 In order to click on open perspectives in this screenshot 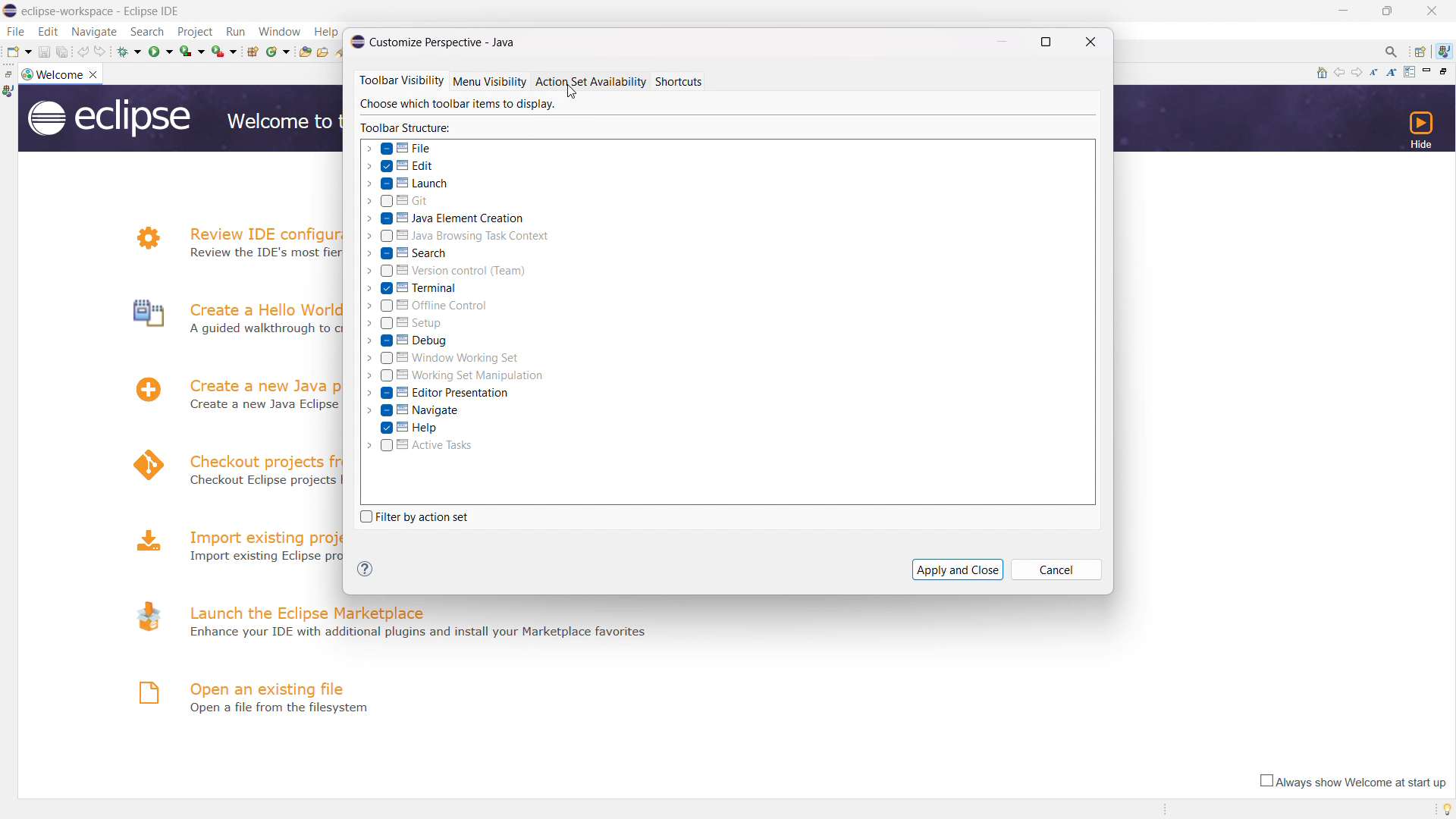, I will do `click(1420, 52)`.